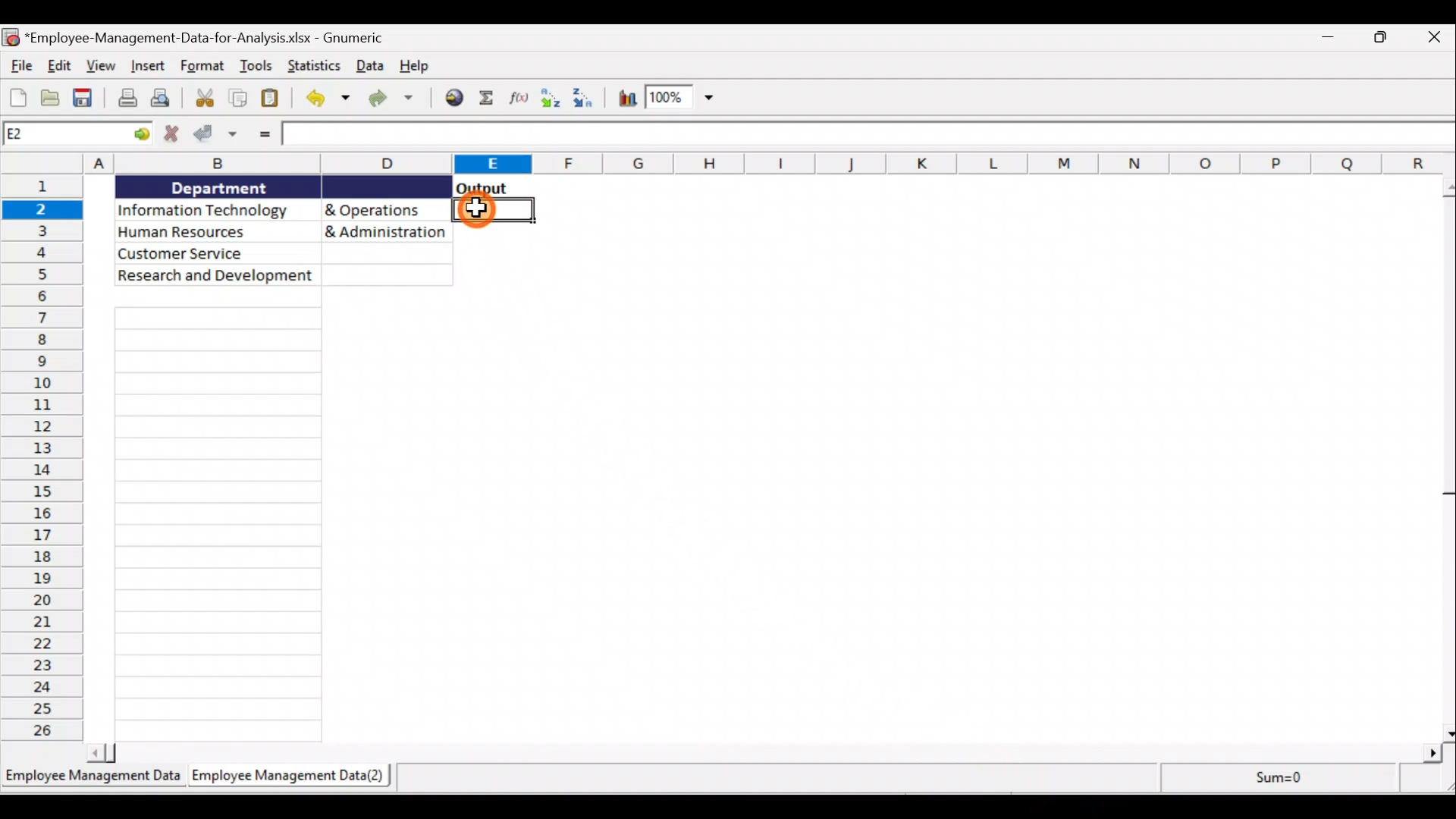  Describe the element at coordinates (453, 99) in the screenshot. I see `Insert hyperlink` at that location.